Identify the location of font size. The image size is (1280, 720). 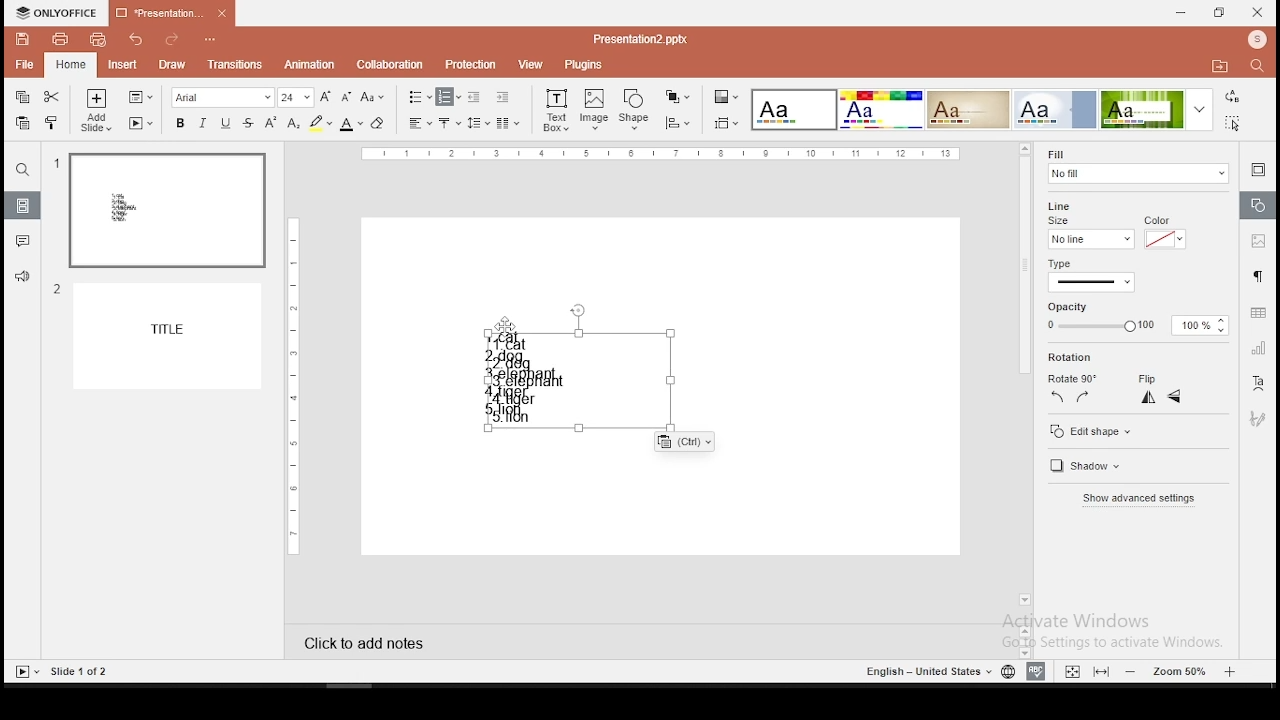
(296, 97).